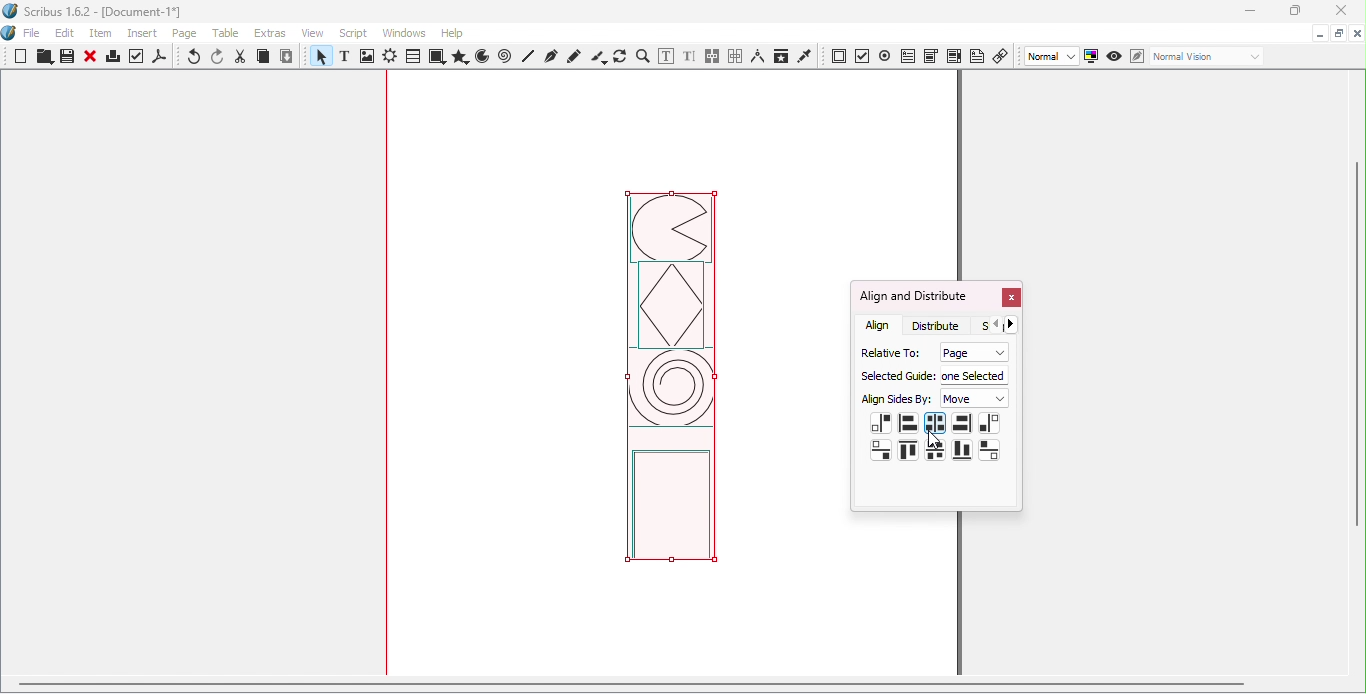 The width and height of the screenshot is (1366, 694). What do you see at coordinates (1338, 32) in the screenshot?
I see `Maximize` at bounding box center [1338, 32].